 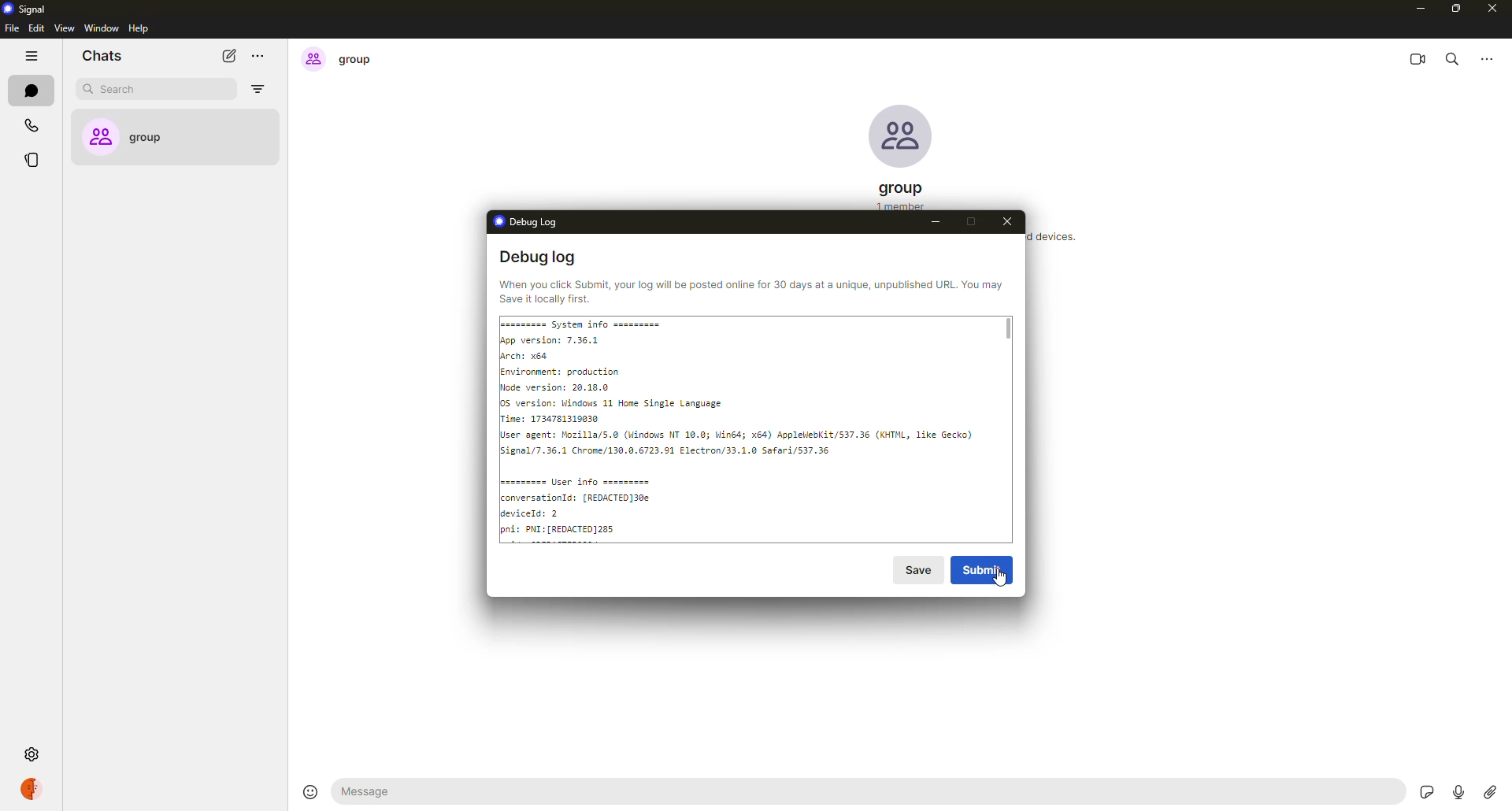 What do you see at coordinates (1014, 224) in the screenshot?
I see `close` at bounding box center [1014, 224].